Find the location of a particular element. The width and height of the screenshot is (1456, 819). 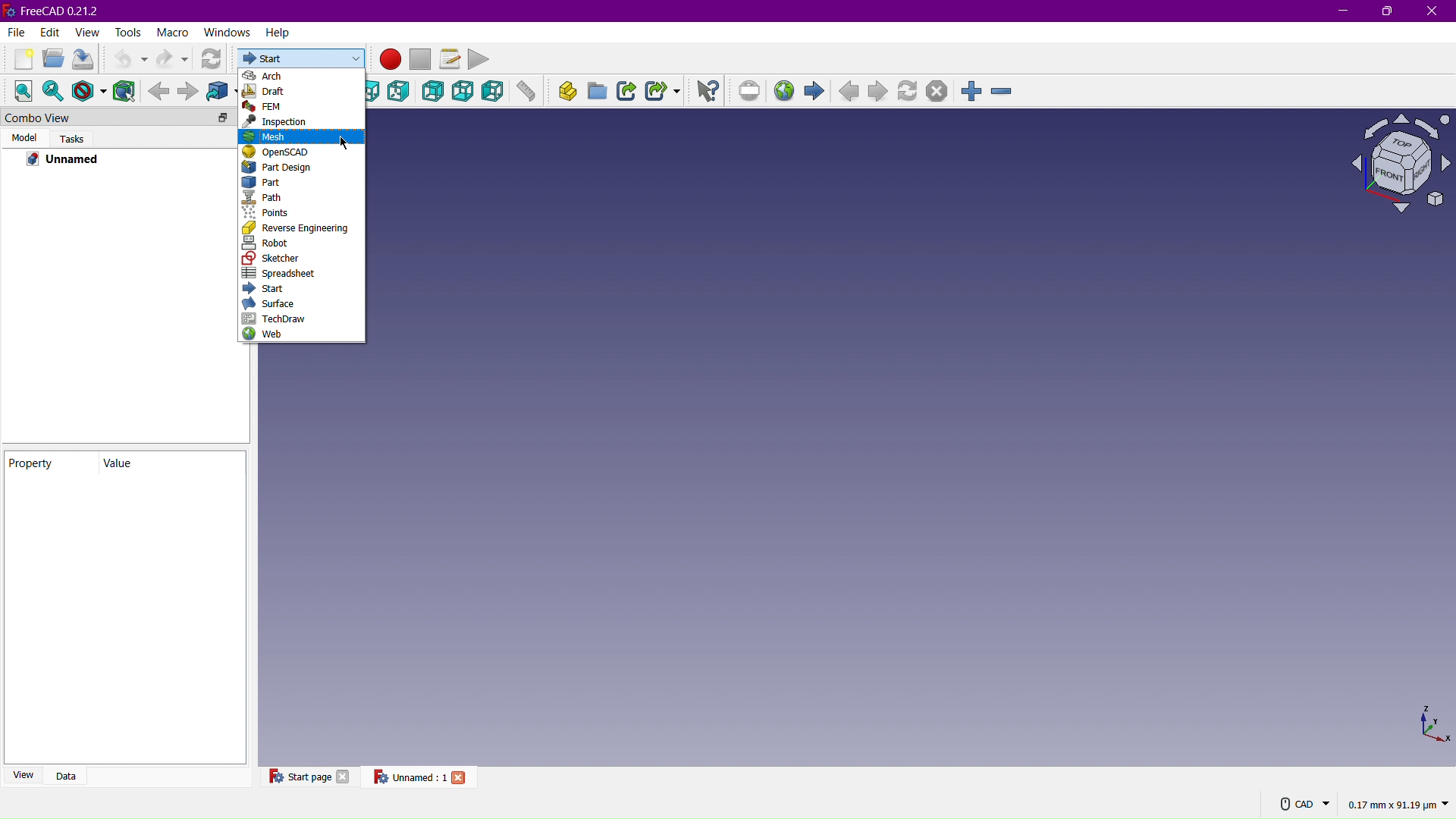

Value is located at coordinates (162, 463).